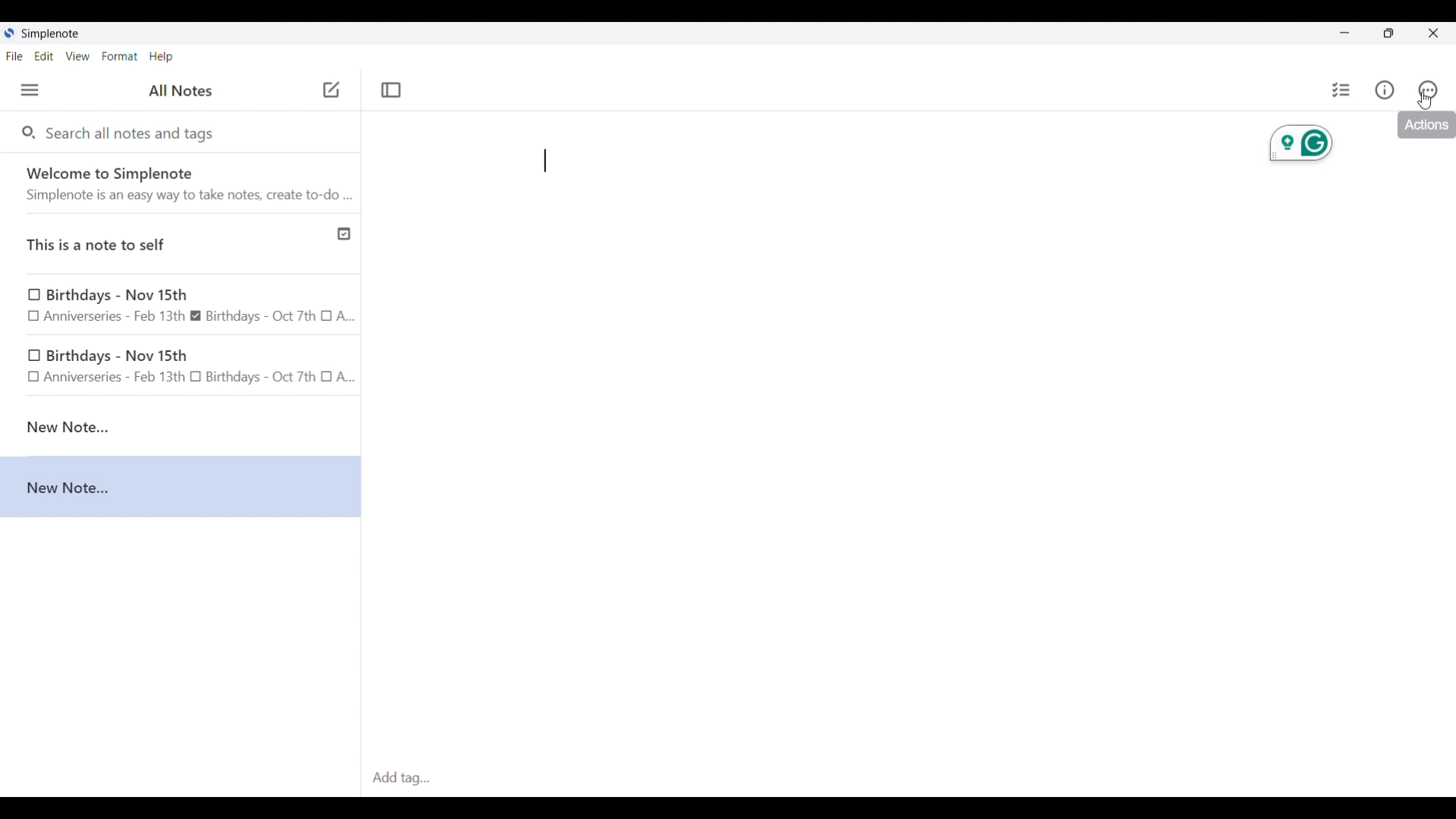  Describe the element at coordinates (1424, 102) in the screenshot. I see `Cursor clicking on actions` at that location.